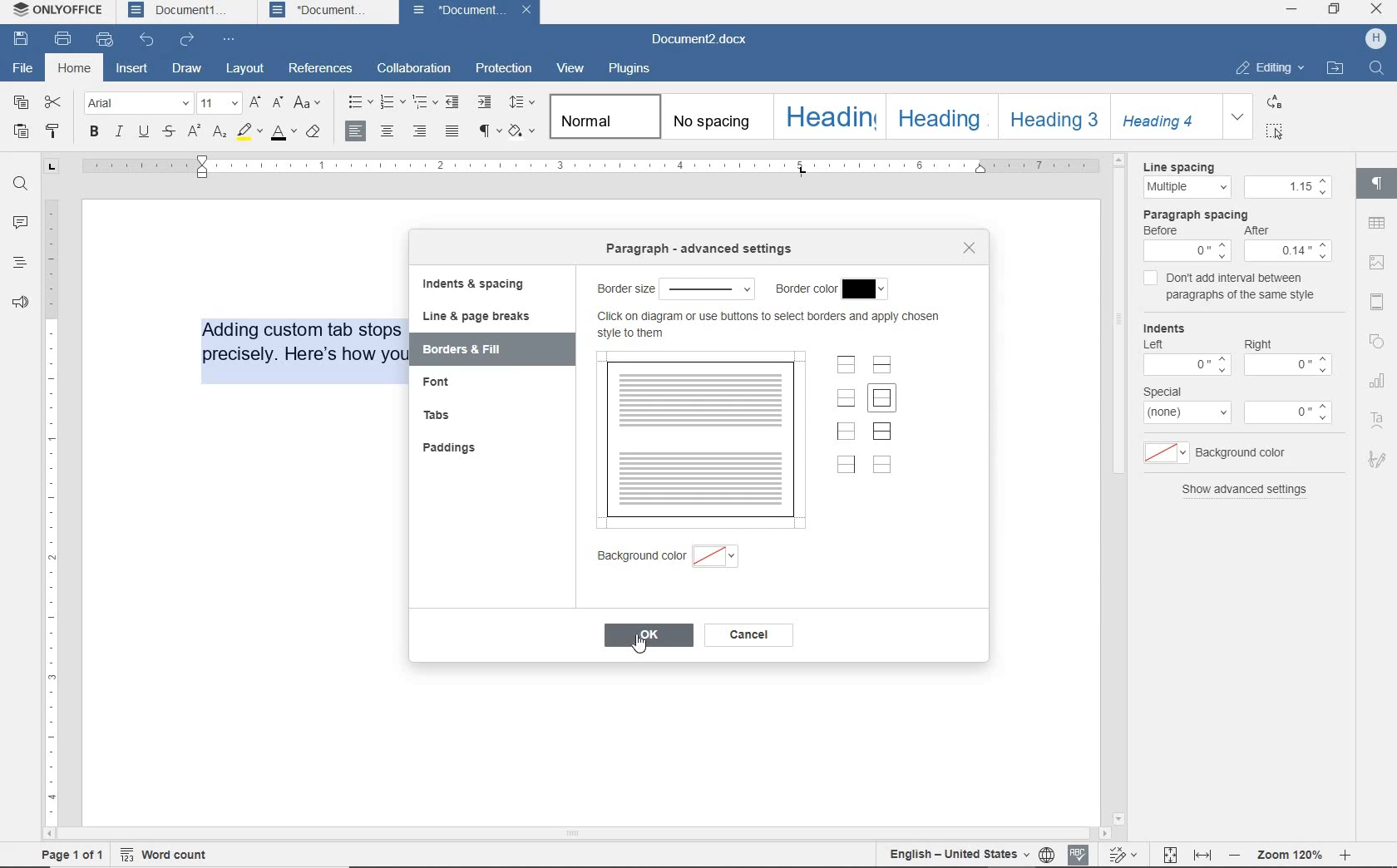 This screenshot has width=1397, height=868. What do you see at coordinates (220, 104) in the screenshot?
I see `font size` at bounding box center [220, 104].